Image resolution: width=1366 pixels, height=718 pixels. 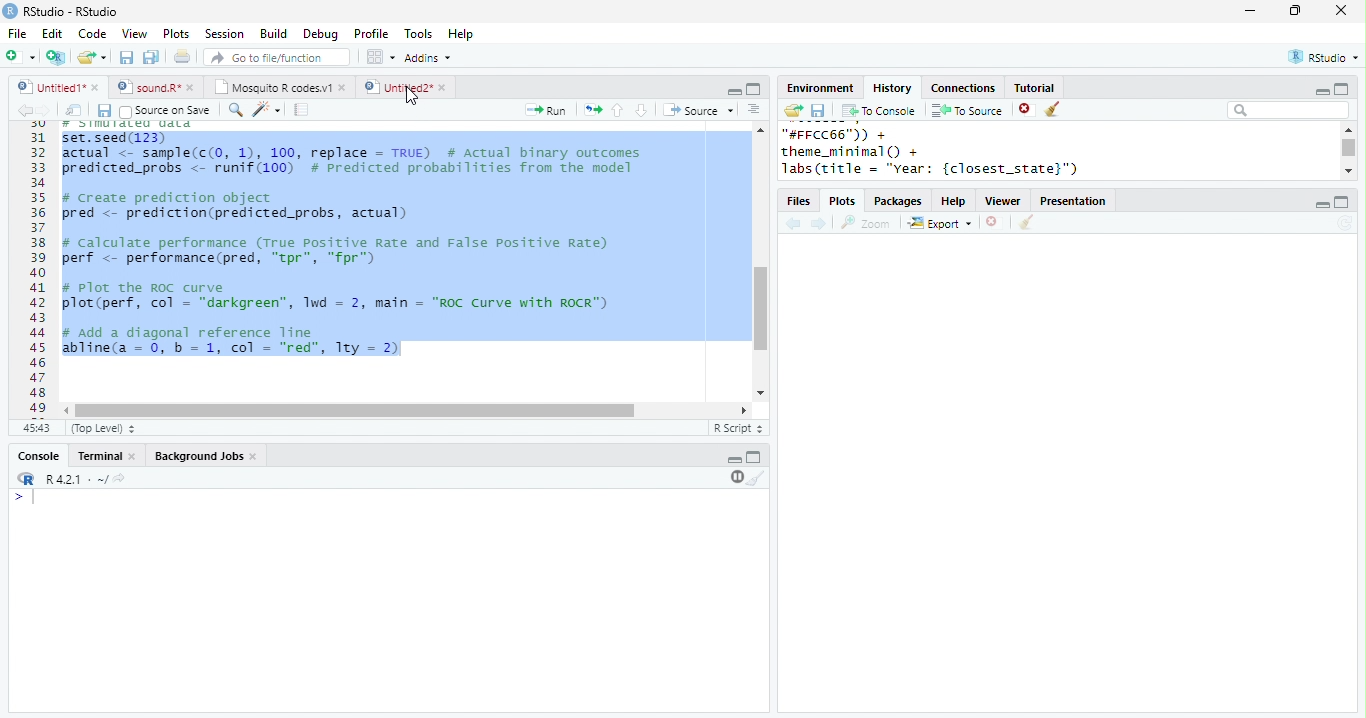 I want to click on close, so click(x=344, y=87).